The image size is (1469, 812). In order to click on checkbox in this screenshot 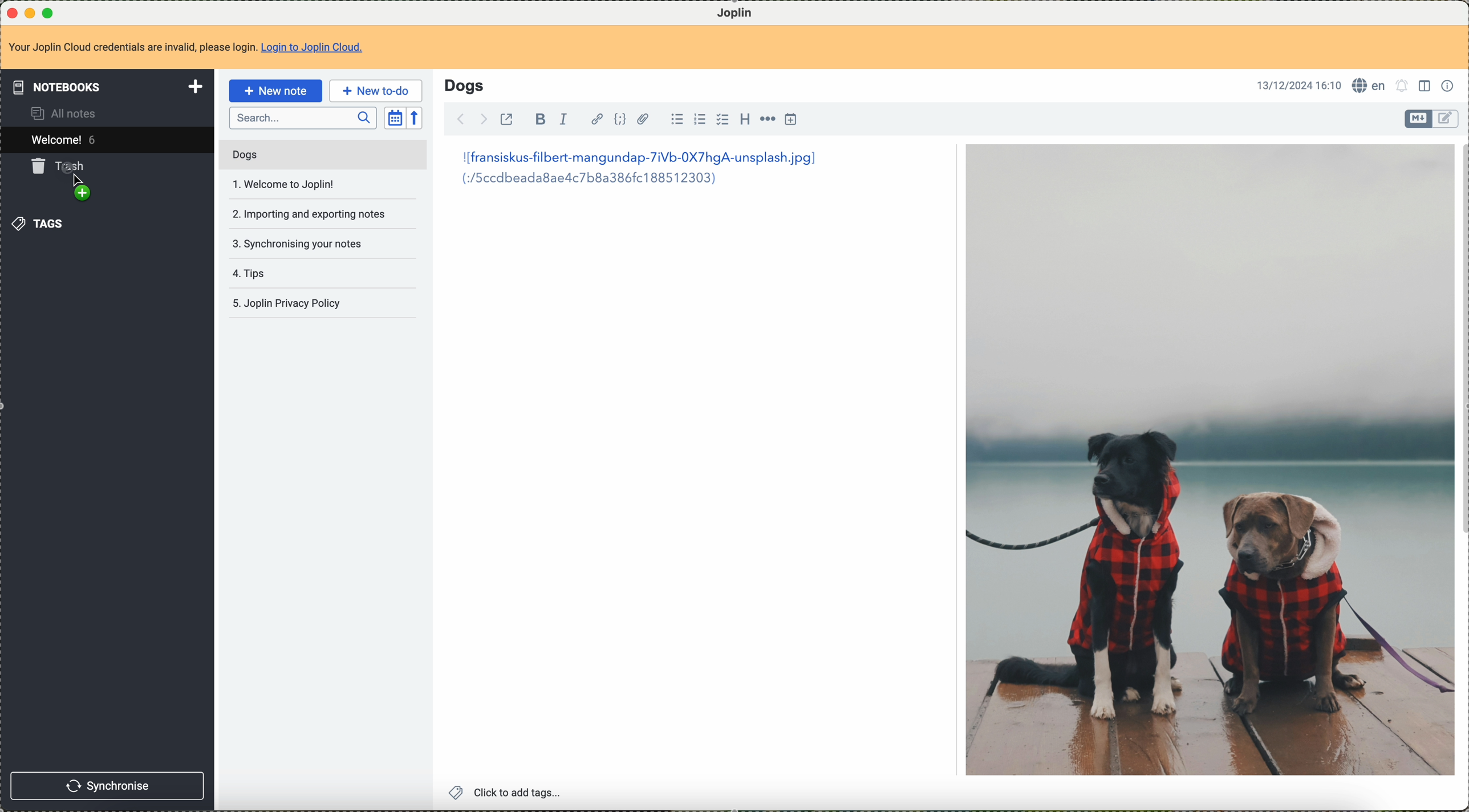, I will do `click(721, 119)`.